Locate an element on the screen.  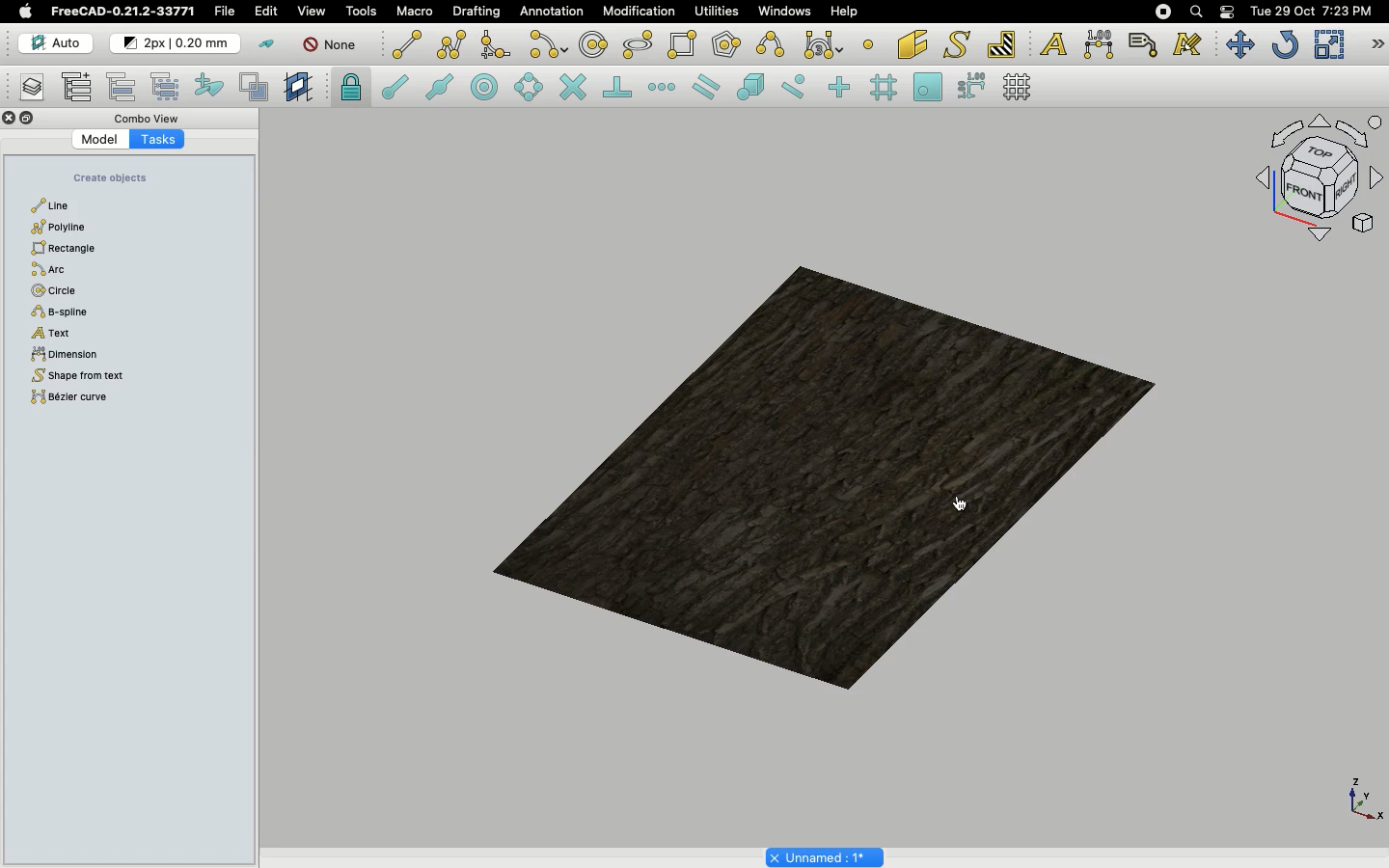
View is located at coordinates (308, 12).